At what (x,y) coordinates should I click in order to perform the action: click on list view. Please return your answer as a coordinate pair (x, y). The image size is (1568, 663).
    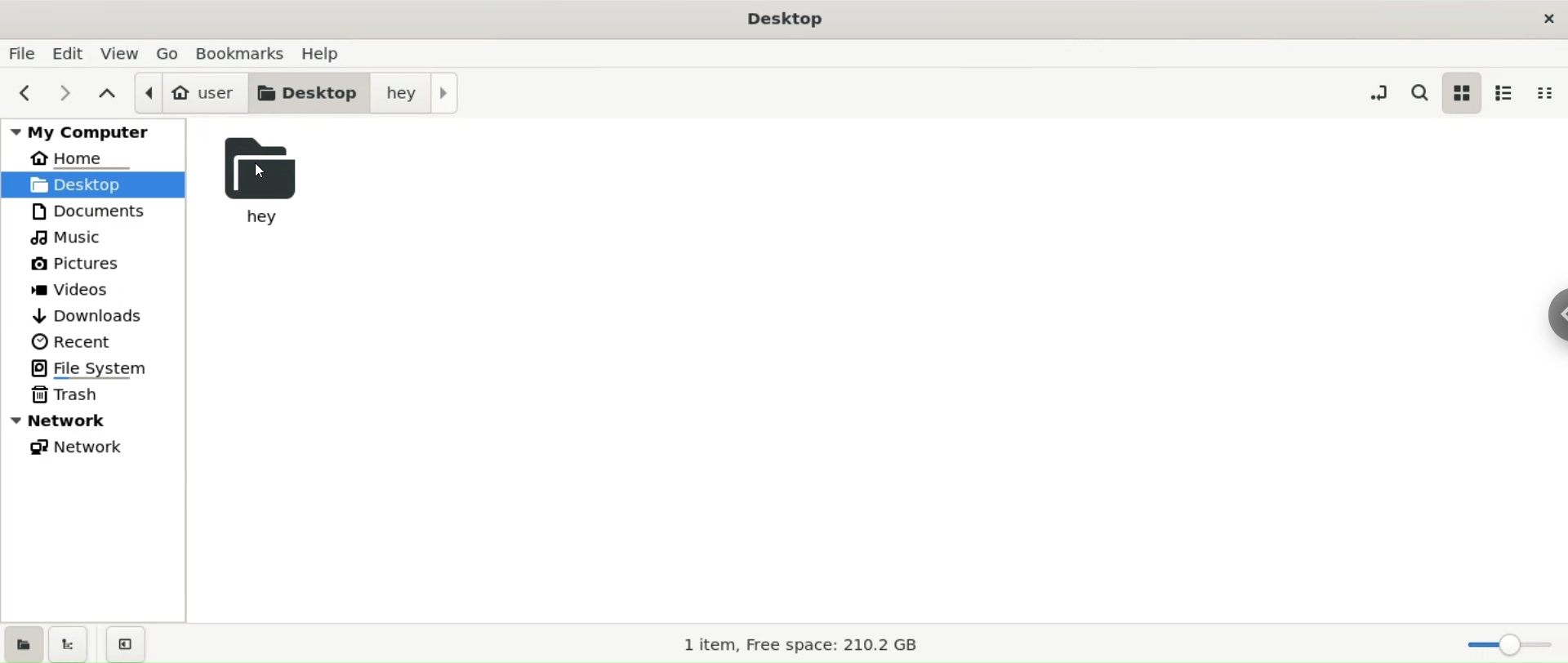
    Looking at the image, I should click on (1503, 94).